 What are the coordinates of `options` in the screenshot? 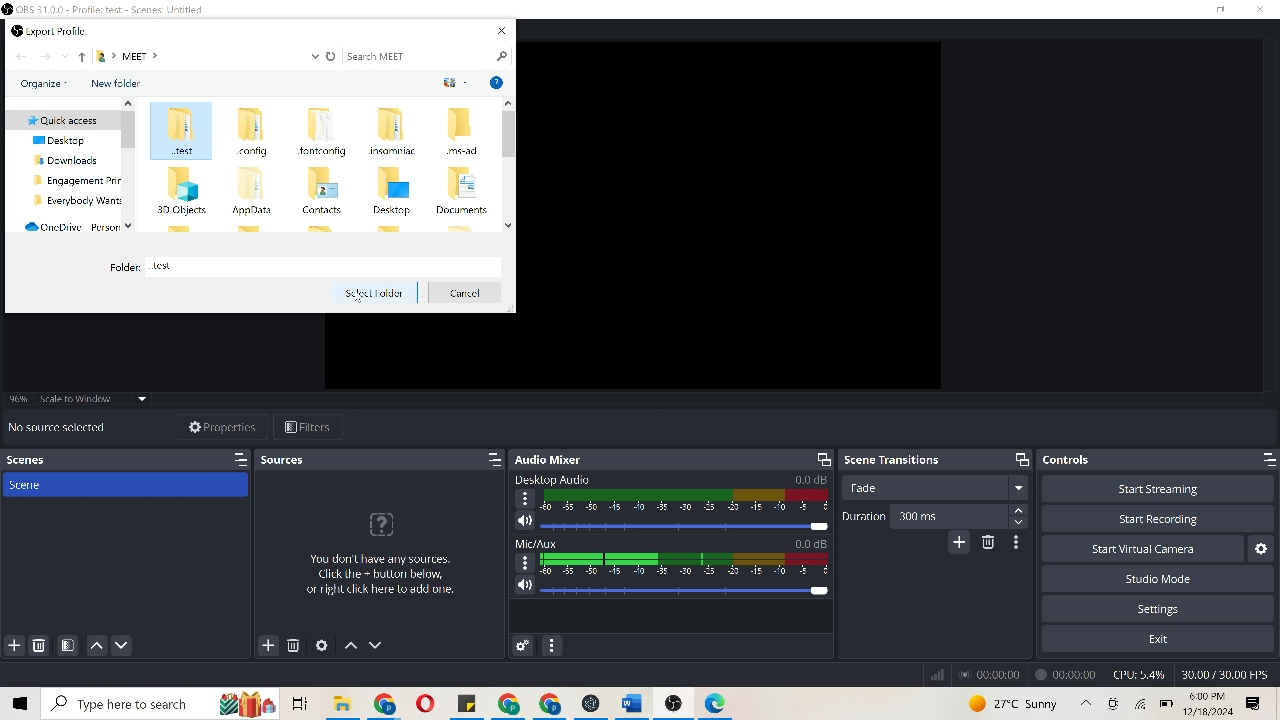 It's located at (1255, 703).